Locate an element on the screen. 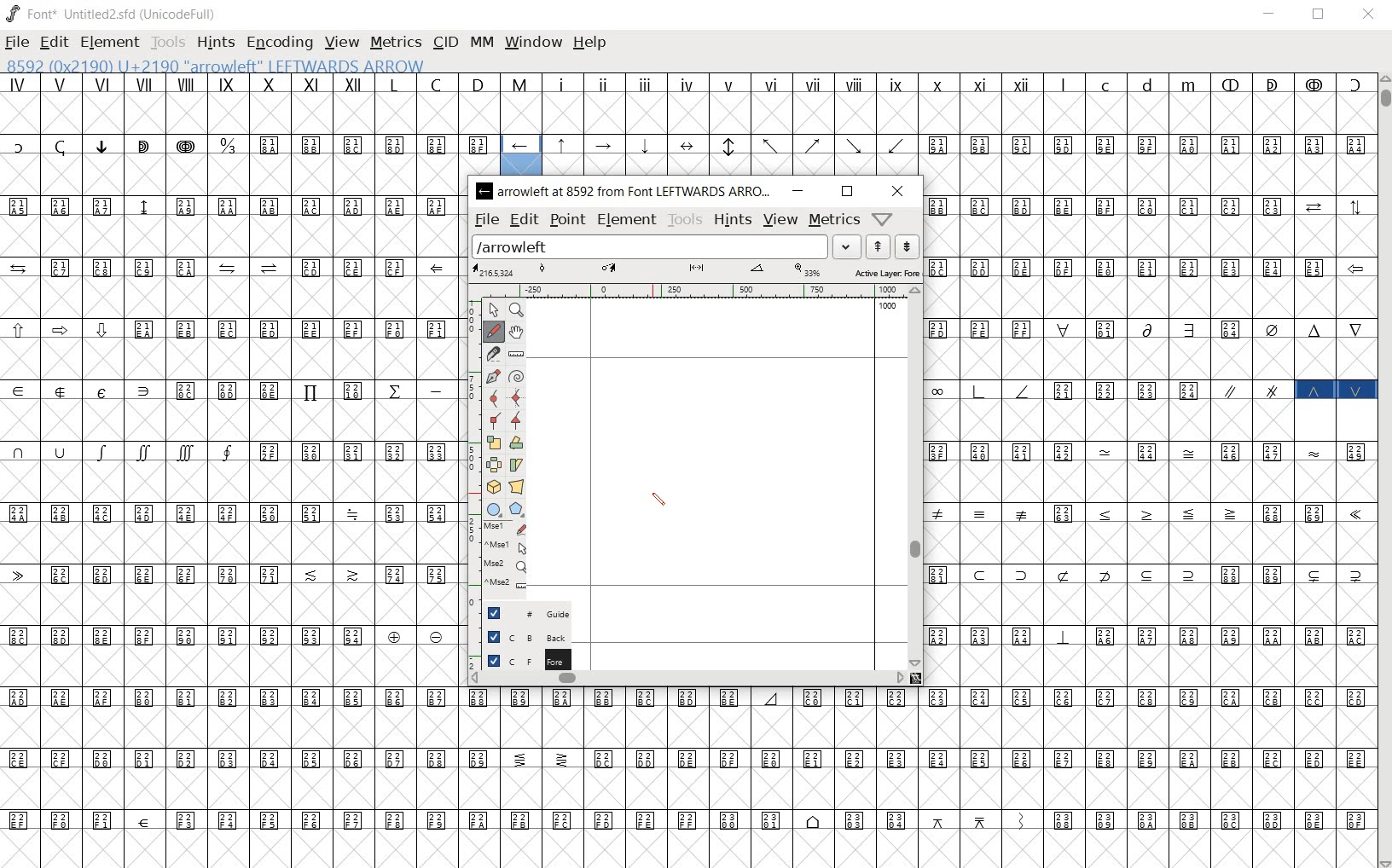  Add a corner point is located at coordinates (492, 421).